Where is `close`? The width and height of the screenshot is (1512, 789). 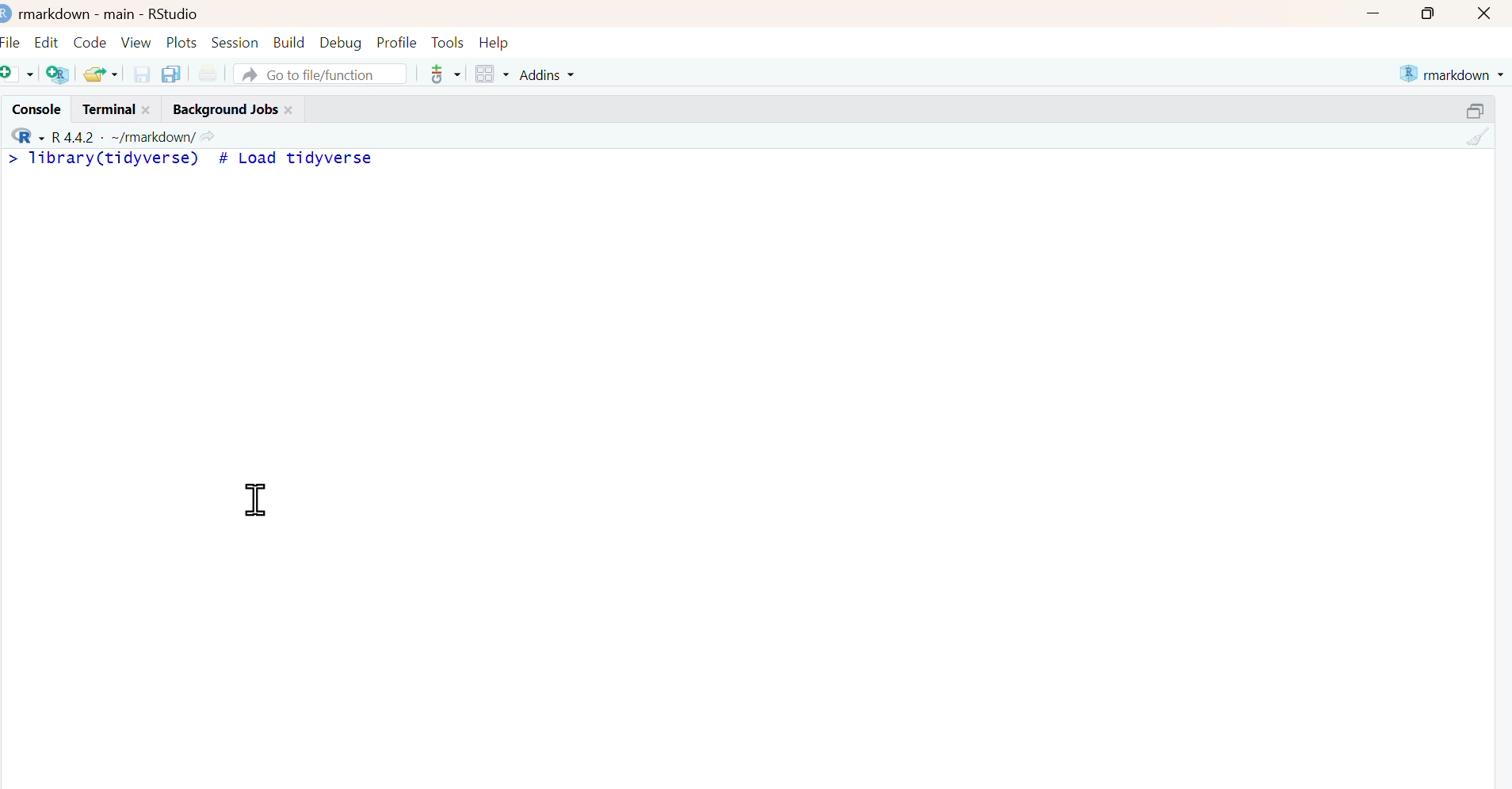
close is located at coordinates (1487, 13).